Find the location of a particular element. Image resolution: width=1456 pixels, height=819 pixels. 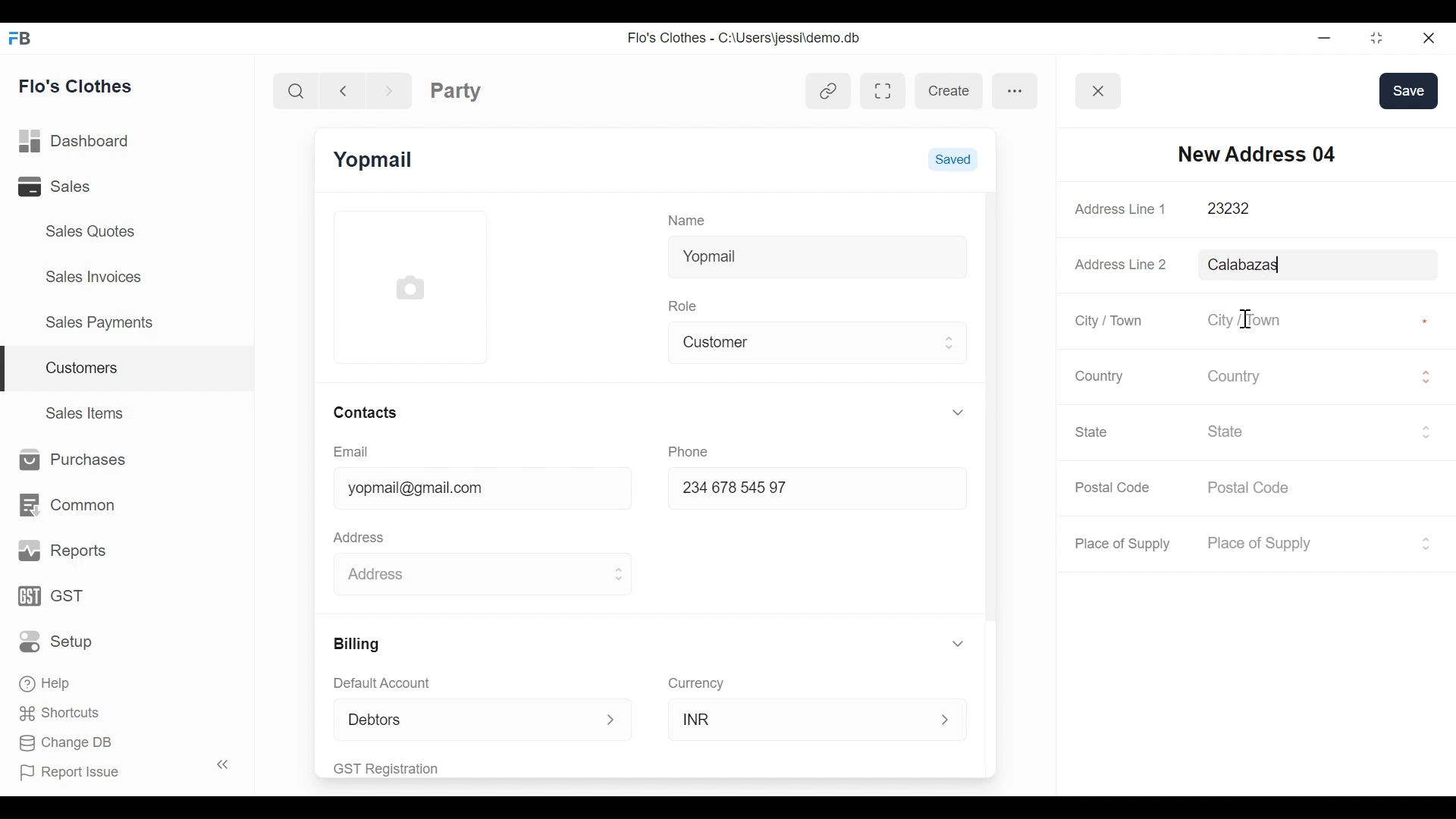

Change DB is located at coordinates (67, 745).